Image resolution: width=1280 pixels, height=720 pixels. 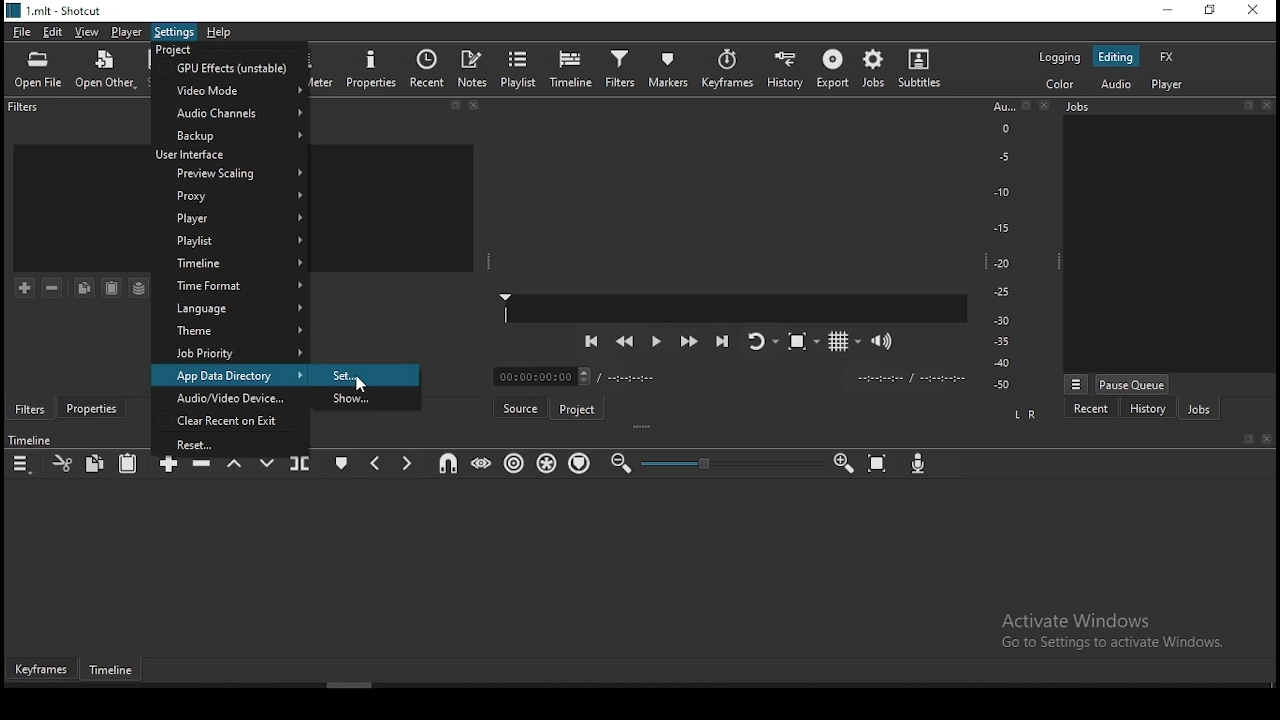 I want to click on zoom in or zoom out bar, so click(x=722, y=463).